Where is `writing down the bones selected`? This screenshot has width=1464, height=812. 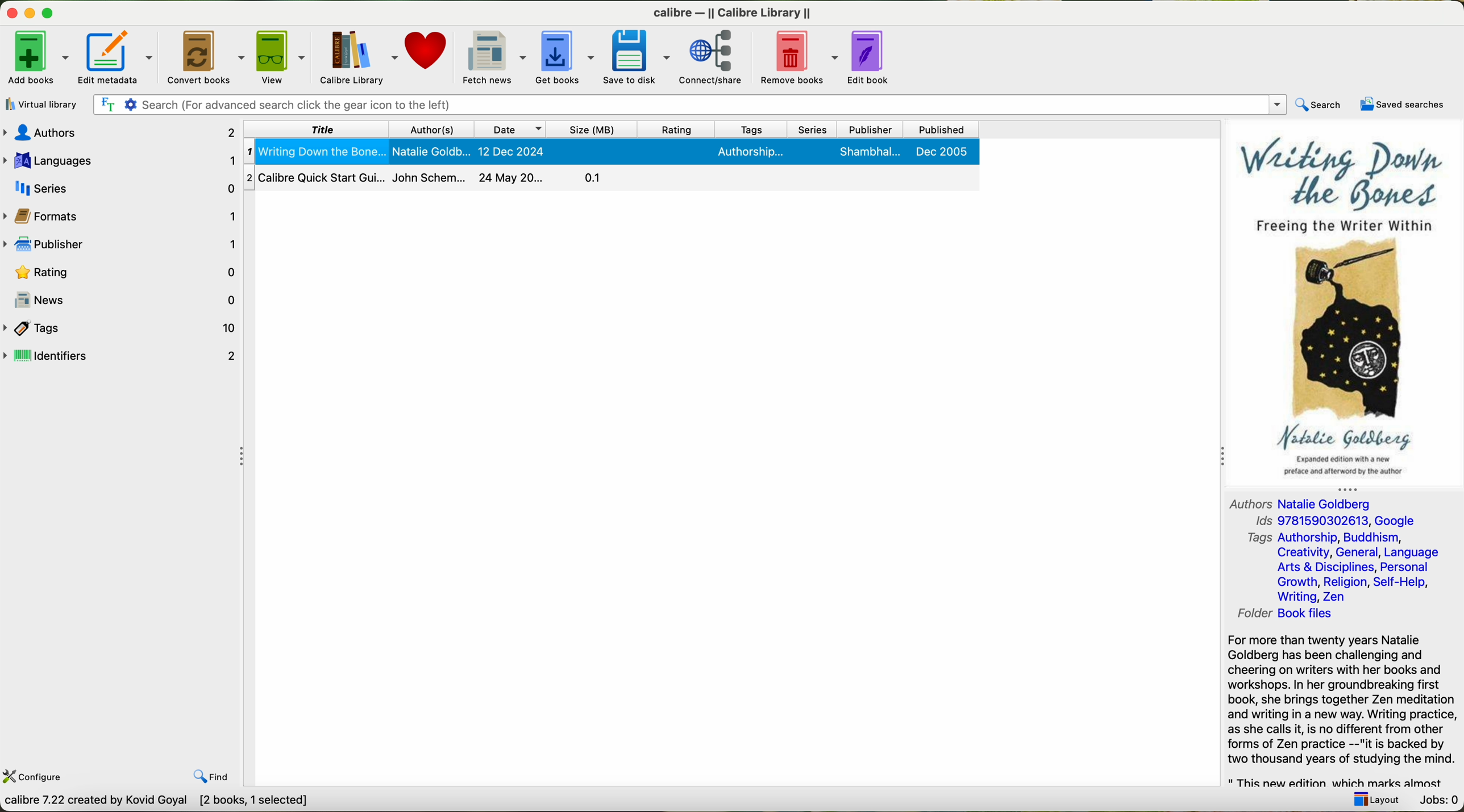
writing down the bones selected is located at coordinates (618, 152).